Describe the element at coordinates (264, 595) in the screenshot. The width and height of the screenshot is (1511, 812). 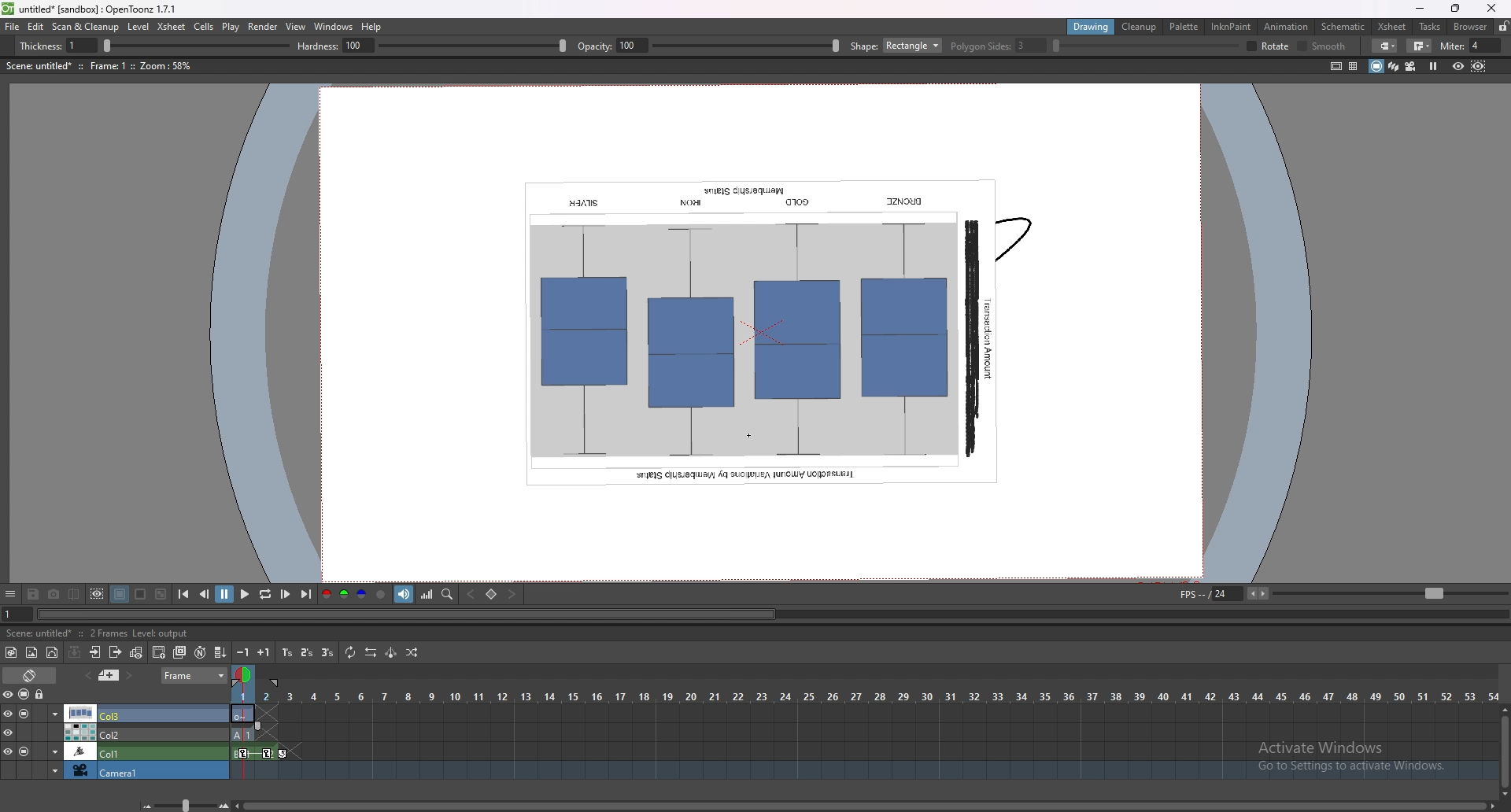
I see `loop` at that location.